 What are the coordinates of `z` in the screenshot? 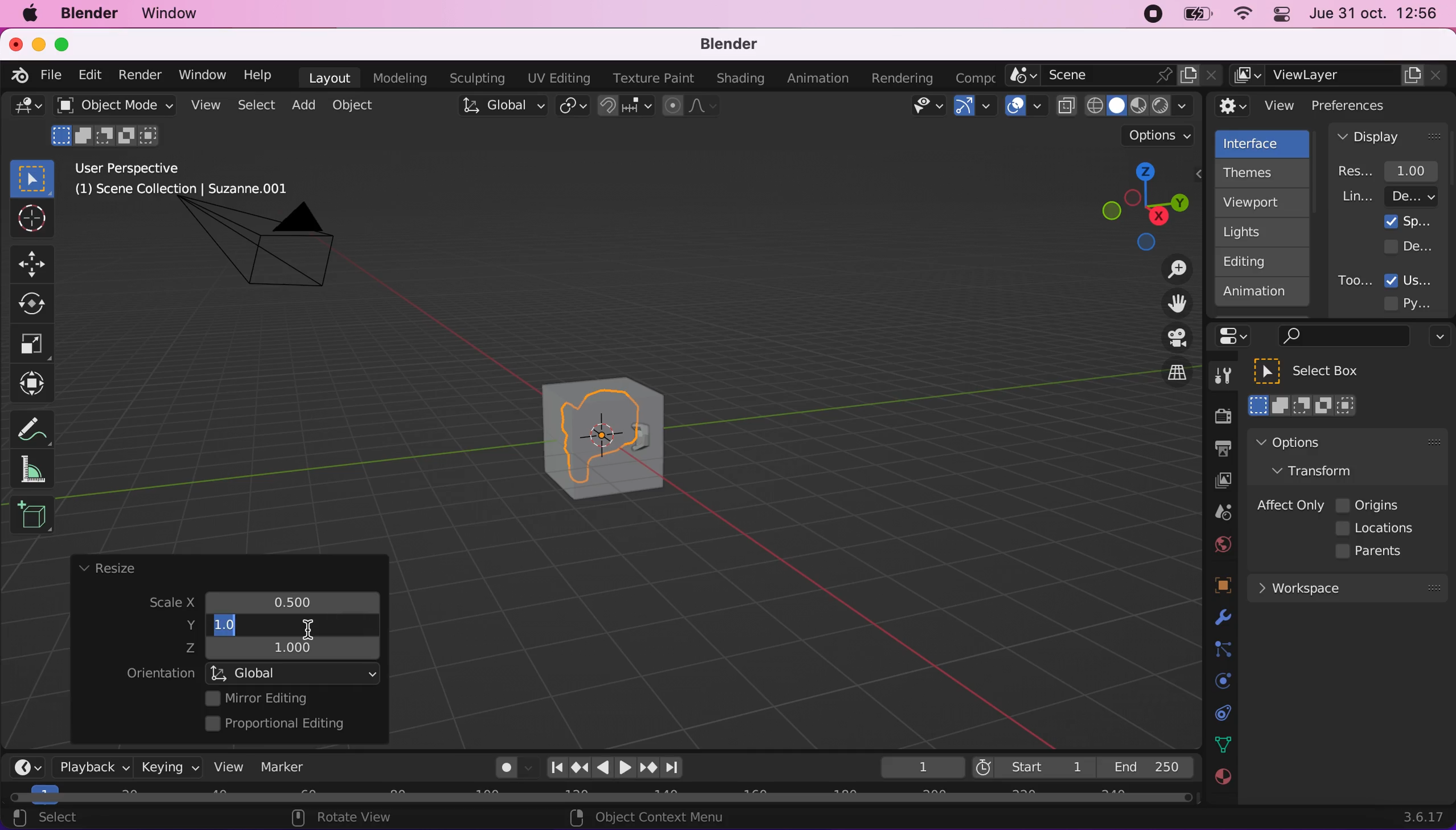 It's located at (287, 649).